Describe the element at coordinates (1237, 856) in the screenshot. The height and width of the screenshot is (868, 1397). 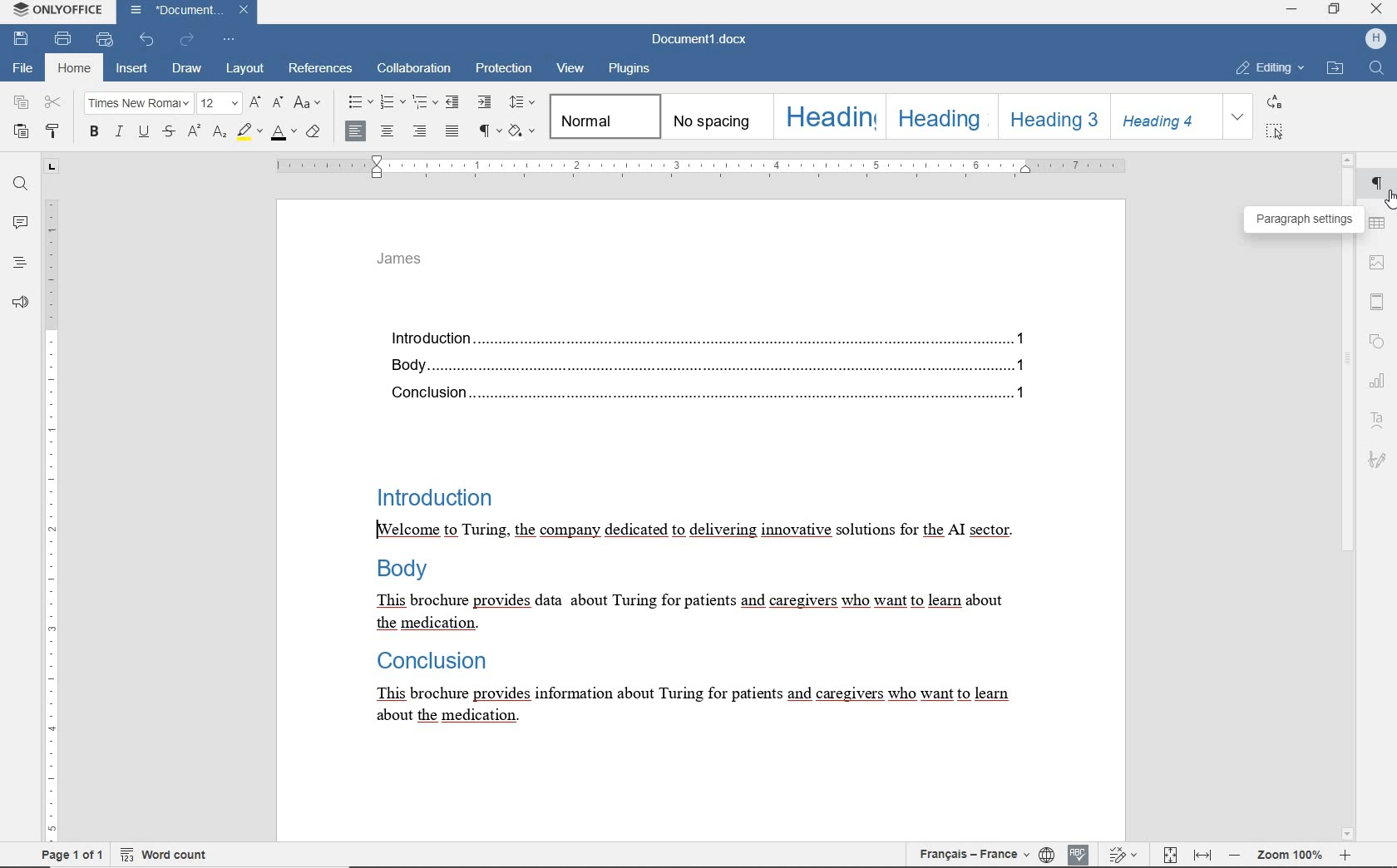
I see `zoom out` at that location.